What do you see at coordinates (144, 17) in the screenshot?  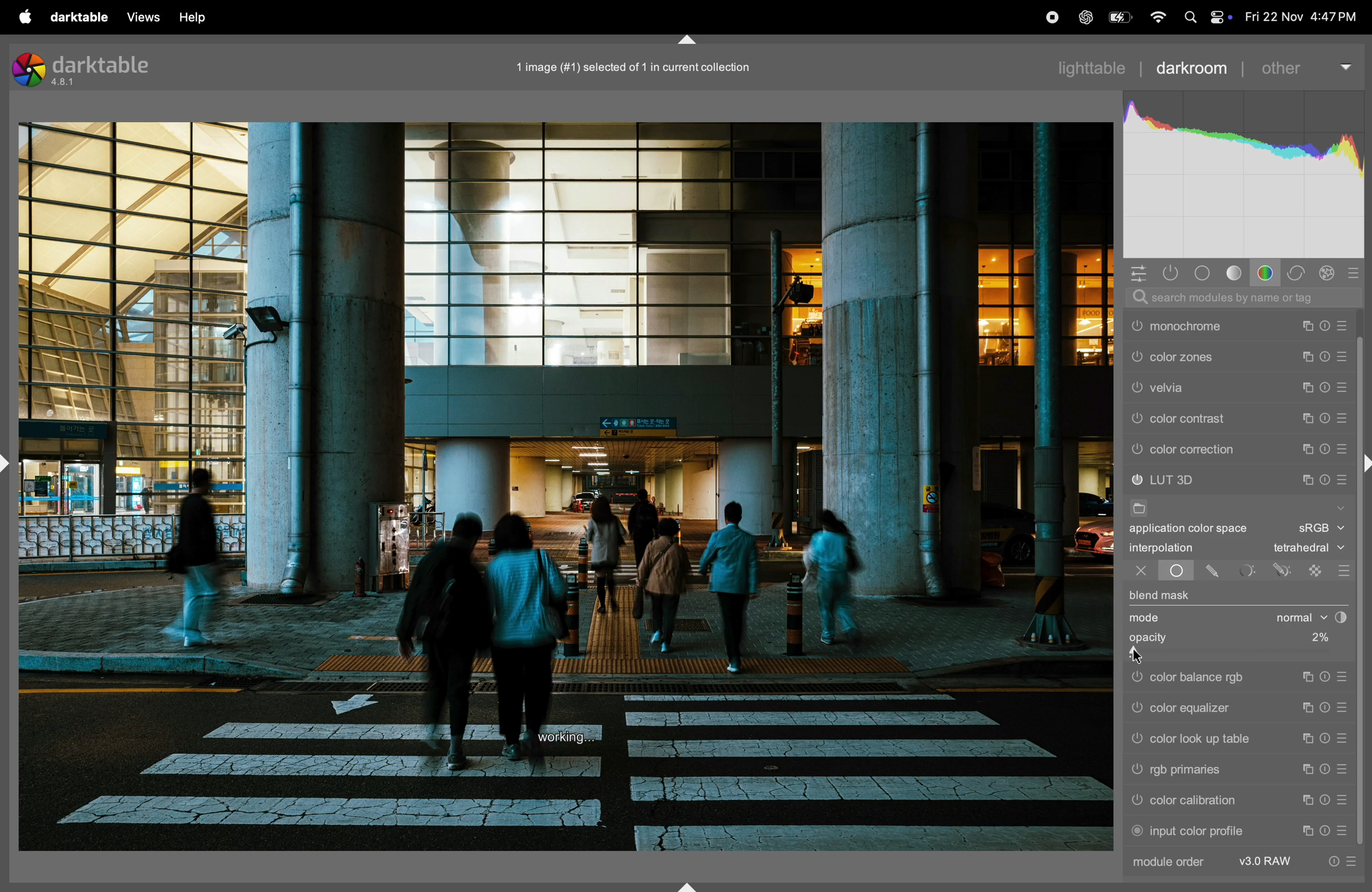 I see `views` at bounding box center [144, 17].